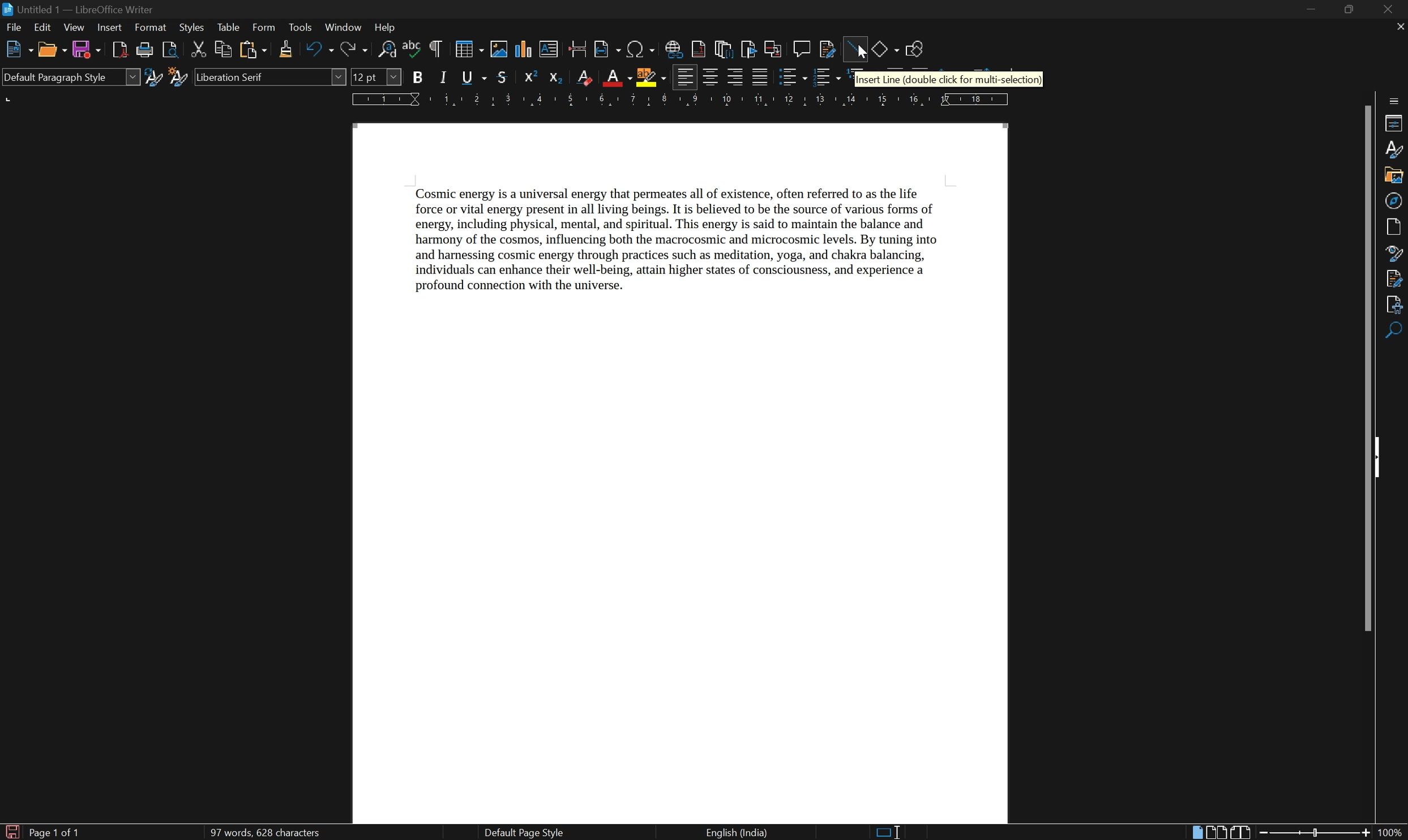 This screenshot has height=840, width=1408. What do you see at coordinates (1241, 832) in the screenshot?
I see `book view` at bounding box center [1241, 832].